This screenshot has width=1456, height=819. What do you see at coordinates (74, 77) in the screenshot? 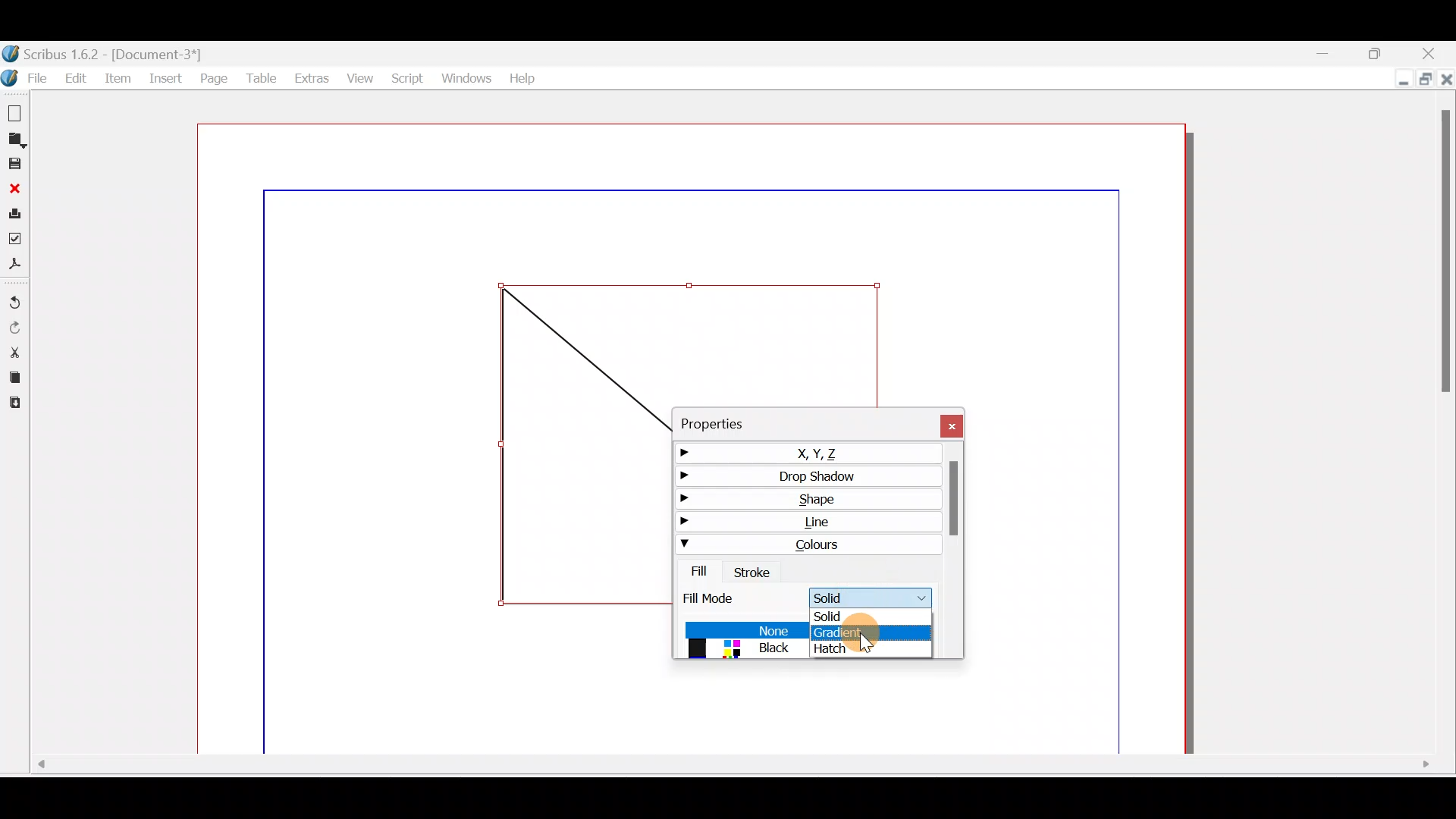
I see `Edit` at bounding box center [74, 77].